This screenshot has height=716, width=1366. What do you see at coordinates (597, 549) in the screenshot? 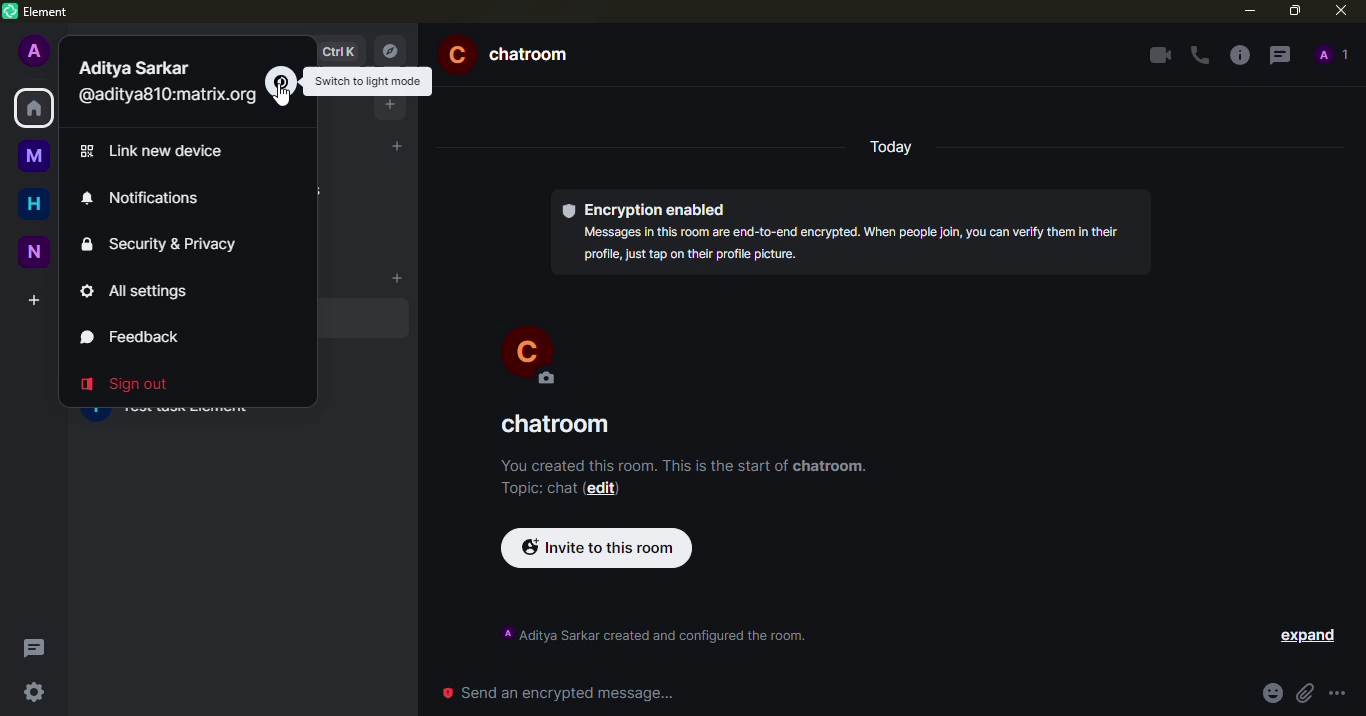
I see `invite to this room` at bounding box center [597, 549].